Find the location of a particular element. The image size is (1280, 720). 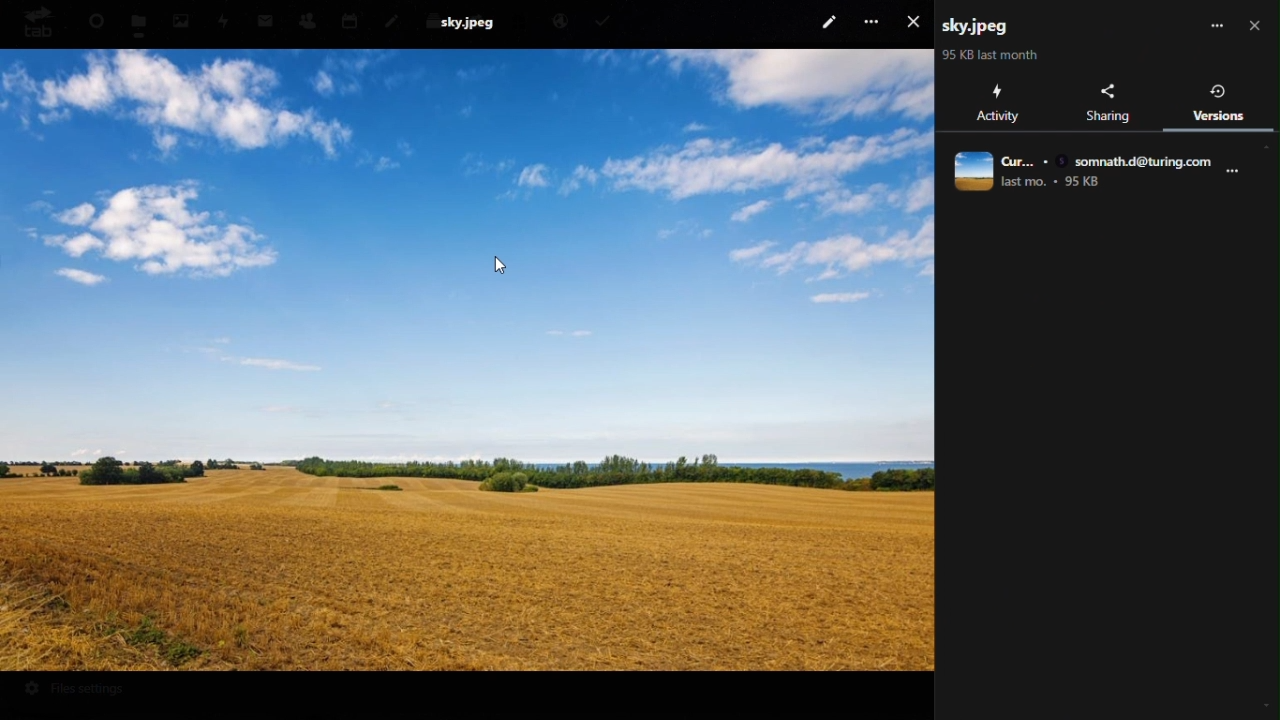

More is located at coordinates (875, 20).